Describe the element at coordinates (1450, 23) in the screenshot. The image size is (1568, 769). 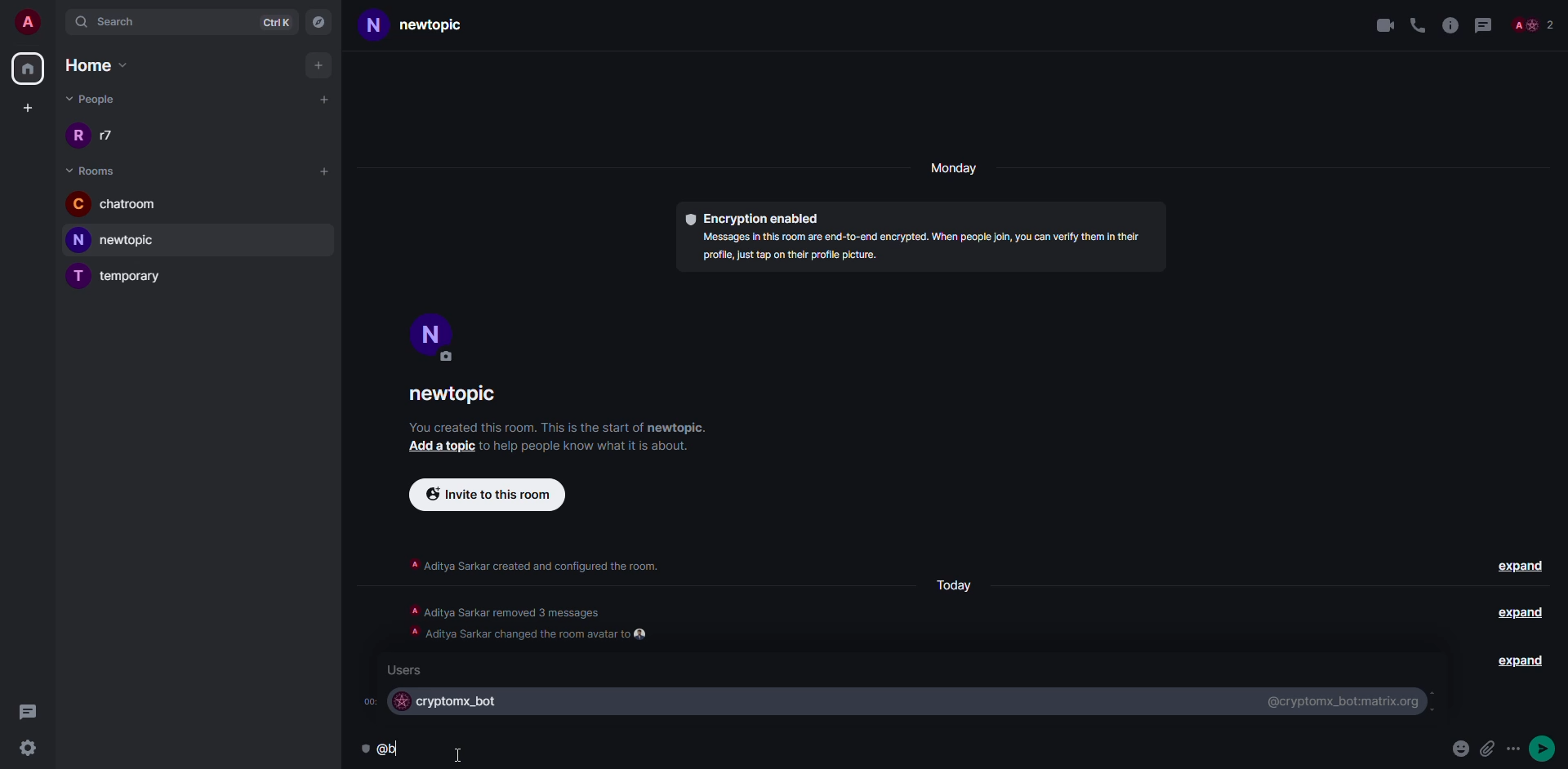
I see `info` at that location.